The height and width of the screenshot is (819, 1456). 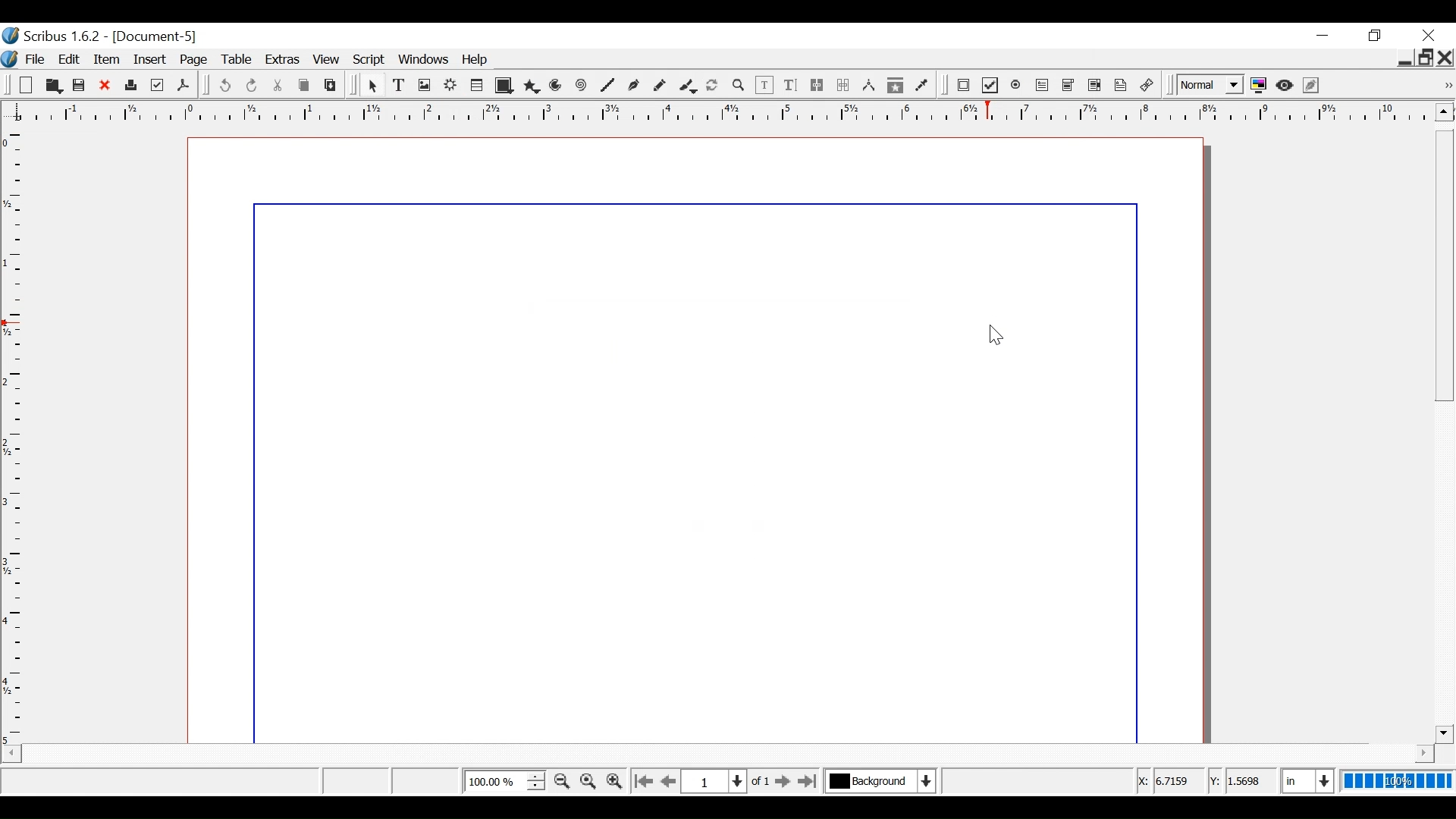 What do you see at coordinates (1259, 86) in the screenshot?
I see `Toggle color` at bounding box center [1259, 86].